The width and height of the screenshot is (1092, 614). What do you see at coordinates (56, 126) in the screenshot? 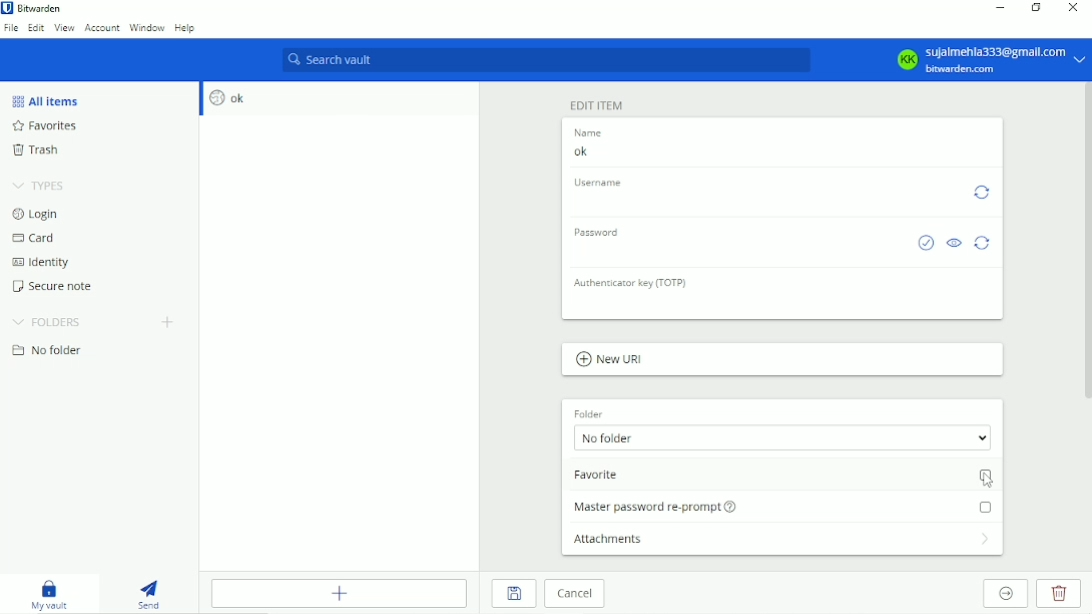
I see `Favorites` at bounding box center [56, 126].